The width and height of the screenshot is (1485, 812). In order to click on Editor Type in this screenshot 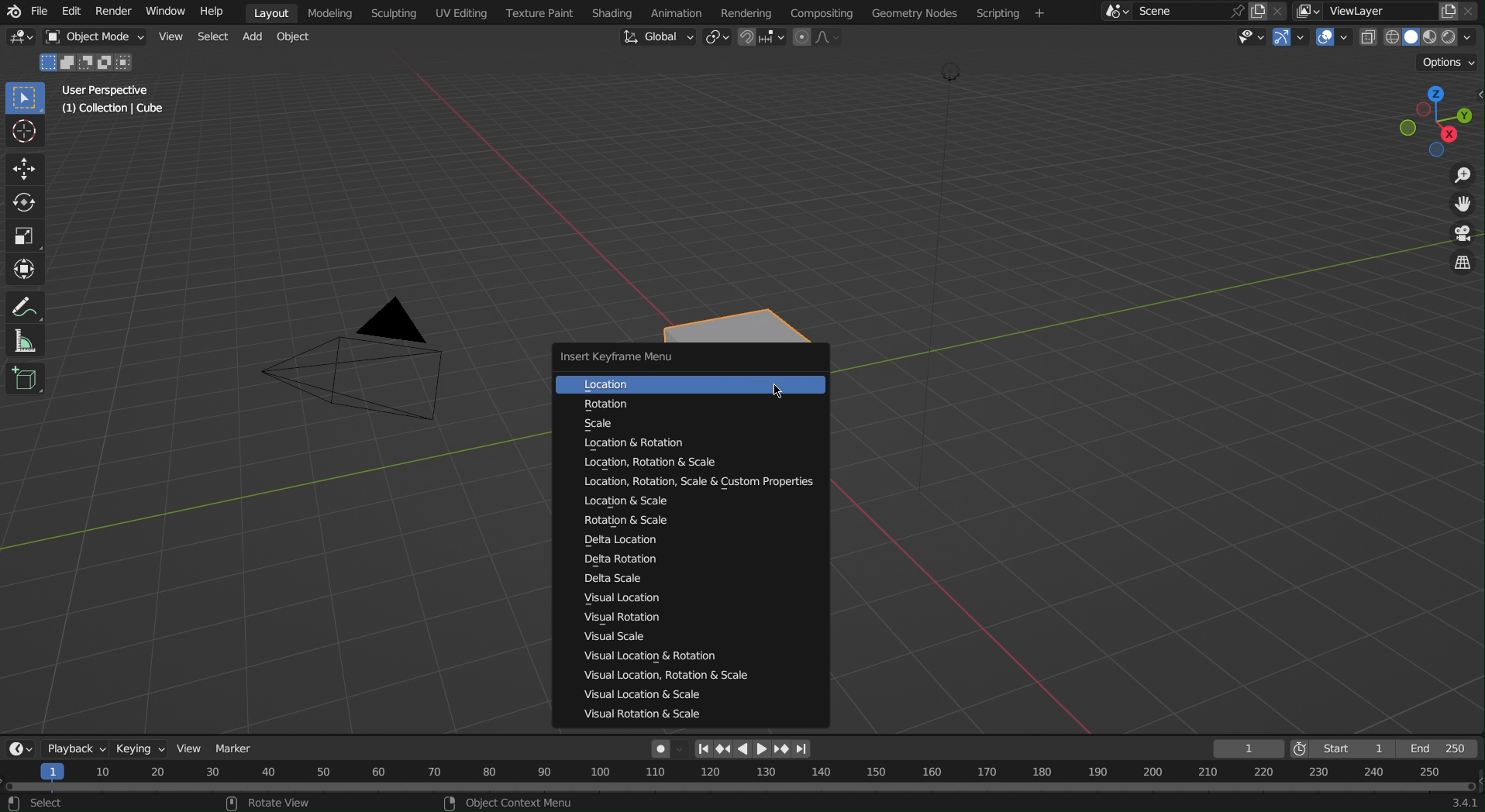, I will do `click(19, 36)`.